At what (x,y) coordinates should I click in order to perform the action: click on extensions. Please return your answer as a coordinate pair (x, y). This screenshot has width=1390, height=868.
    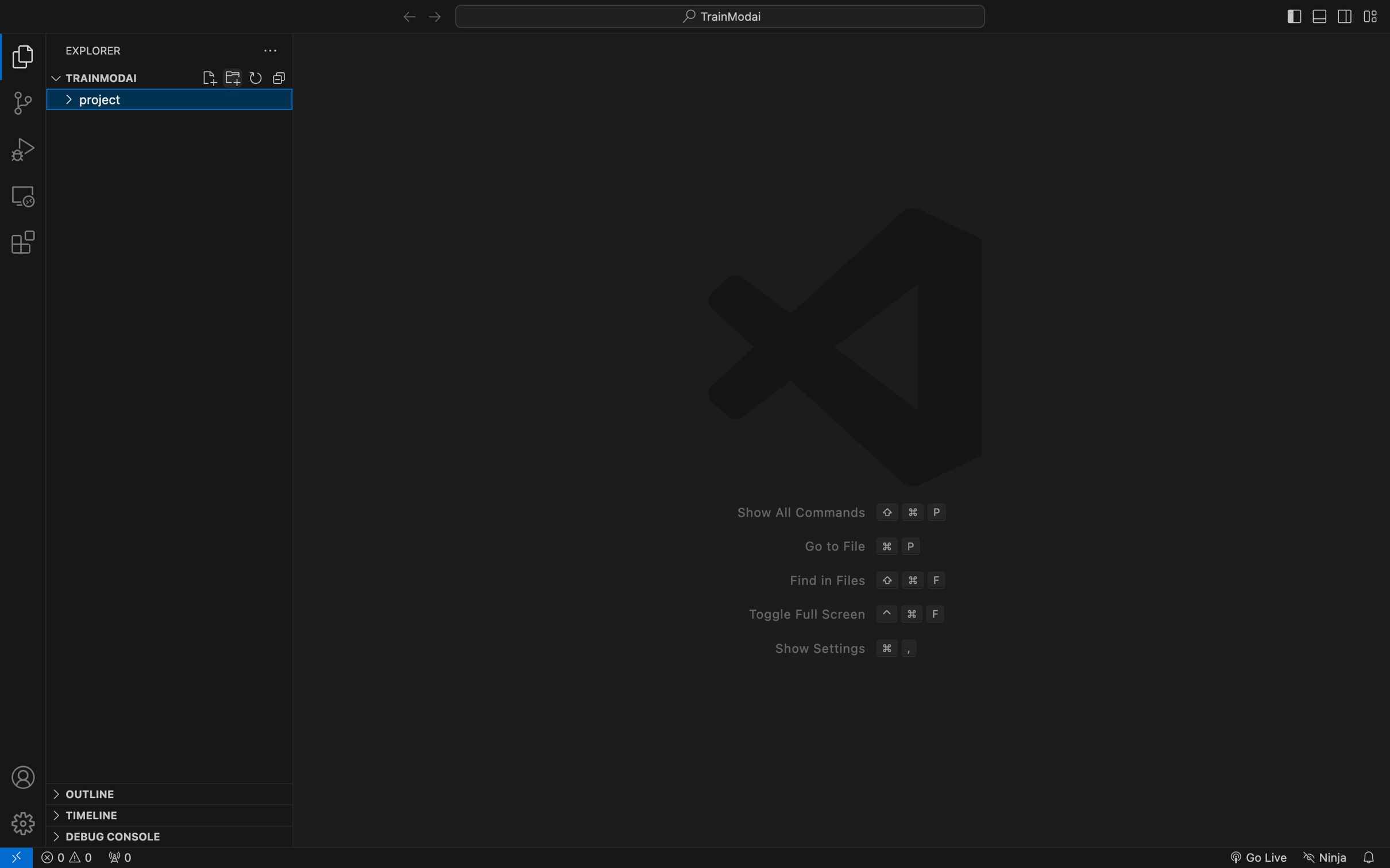
    Looking at the image, I should click on (22, 242).